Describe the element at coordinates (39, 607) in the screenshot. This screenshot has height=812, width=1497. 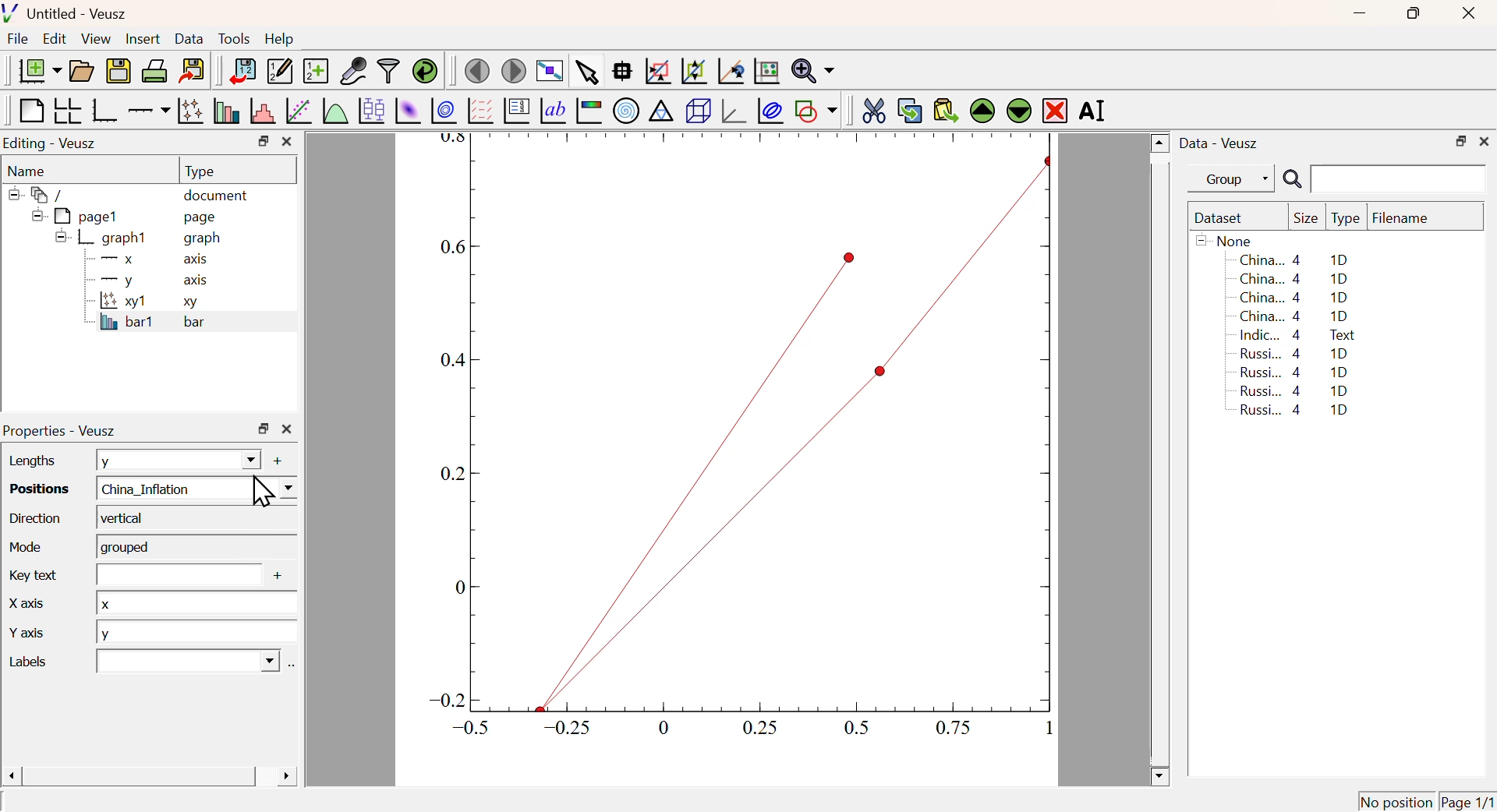
I see `X Axis` at that location.